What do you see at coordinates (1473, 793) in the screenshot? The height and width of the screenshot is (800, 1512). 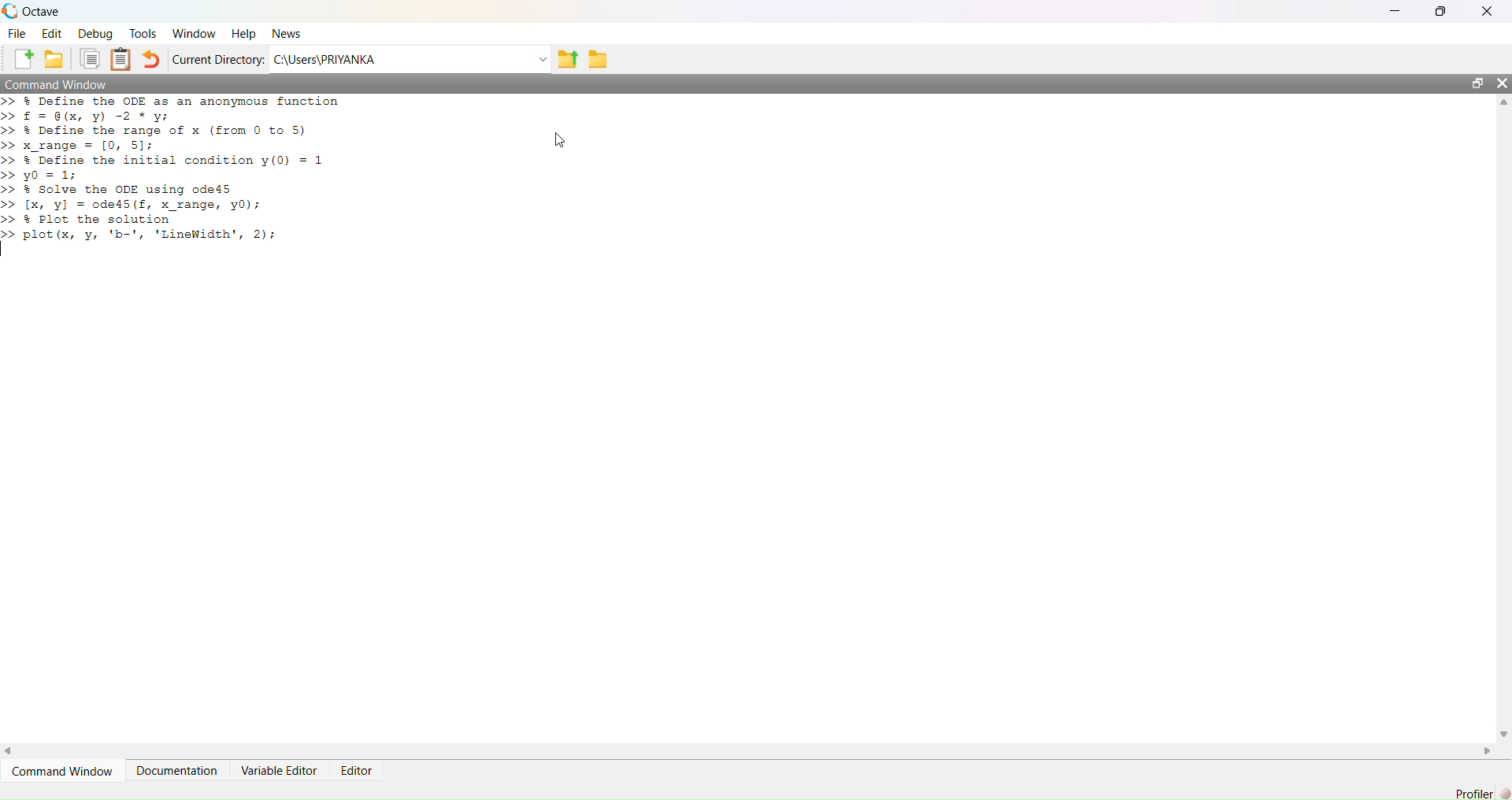 I see `Profiler` at bounding box center [1473, 793].